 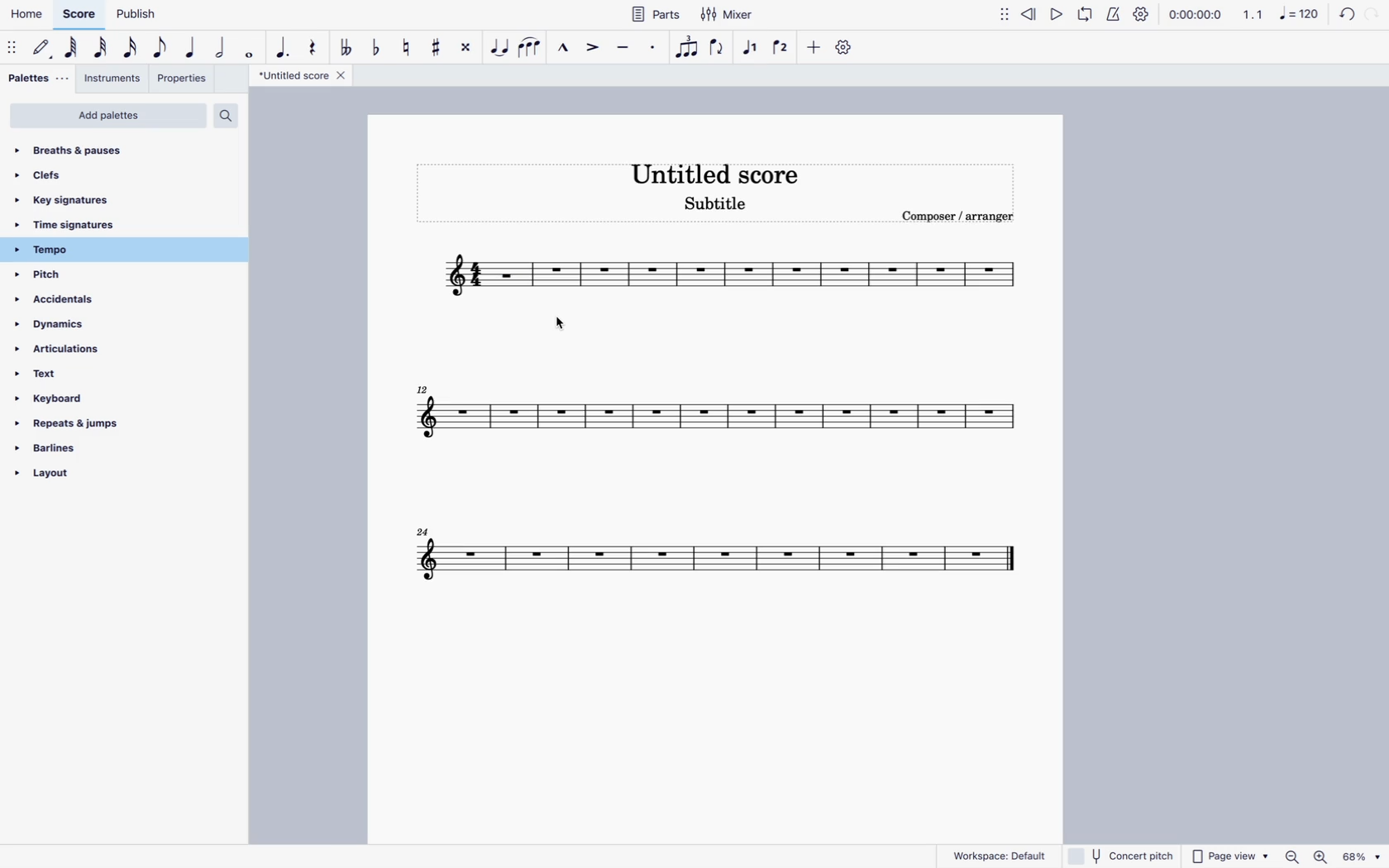 What do you see at coordinates (223, 49) in the screenshot?
I see `half note` at bounding box center [223, 49].